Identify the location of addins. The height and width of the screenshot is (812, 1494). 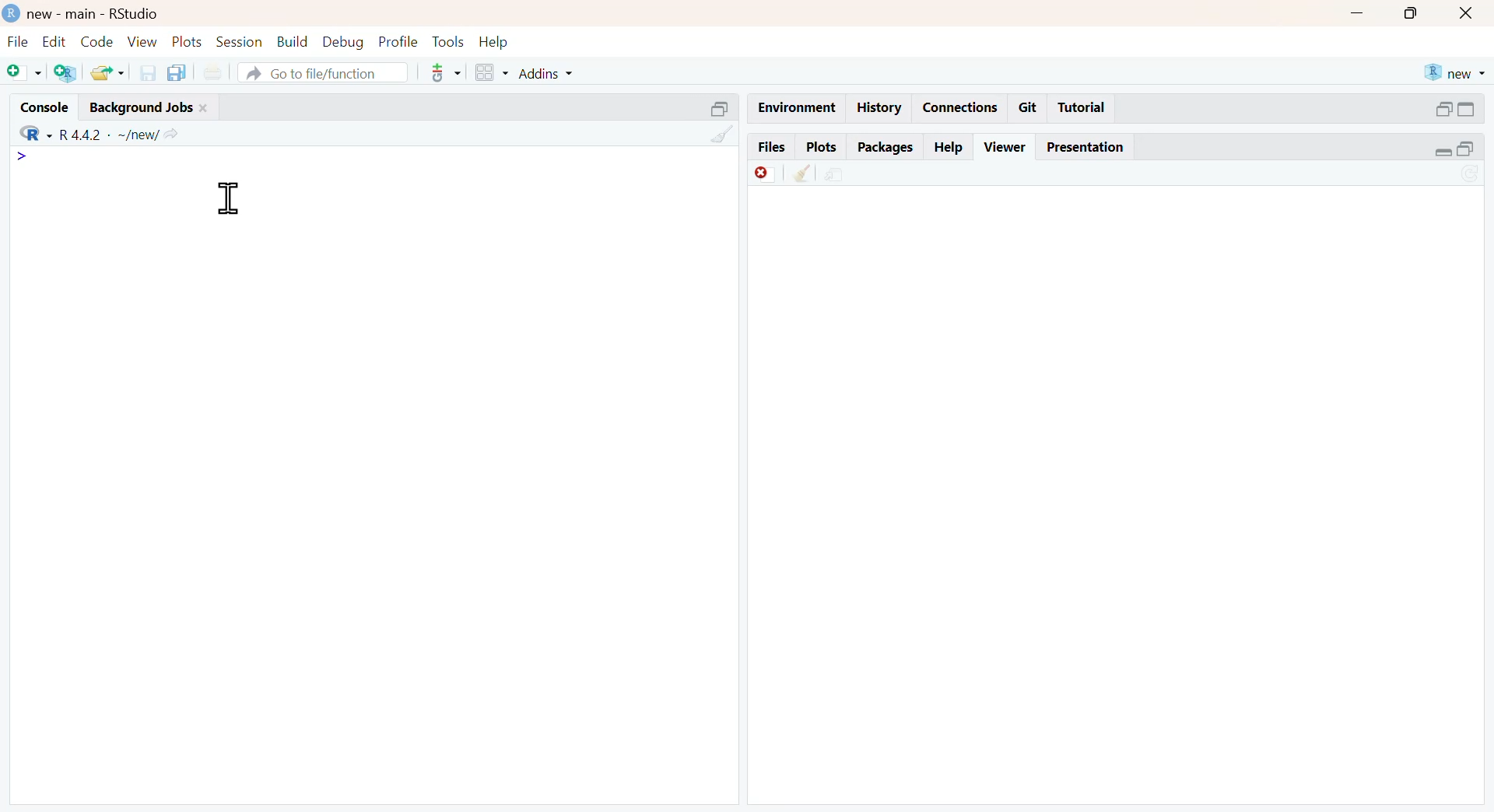
(548, 75).